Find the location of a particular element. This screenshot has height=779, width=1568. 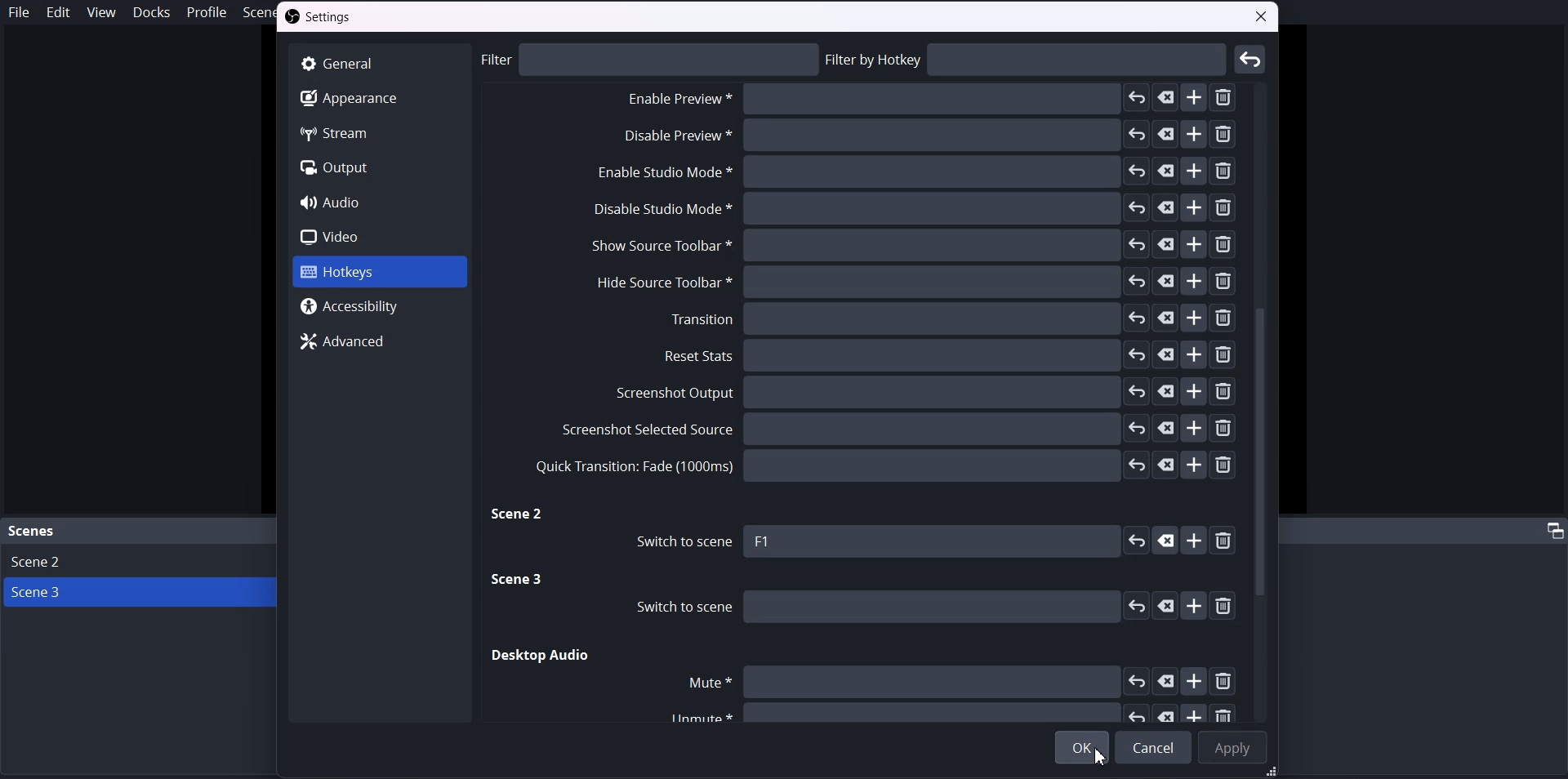

Scene two is located at coordinates (519, 515).